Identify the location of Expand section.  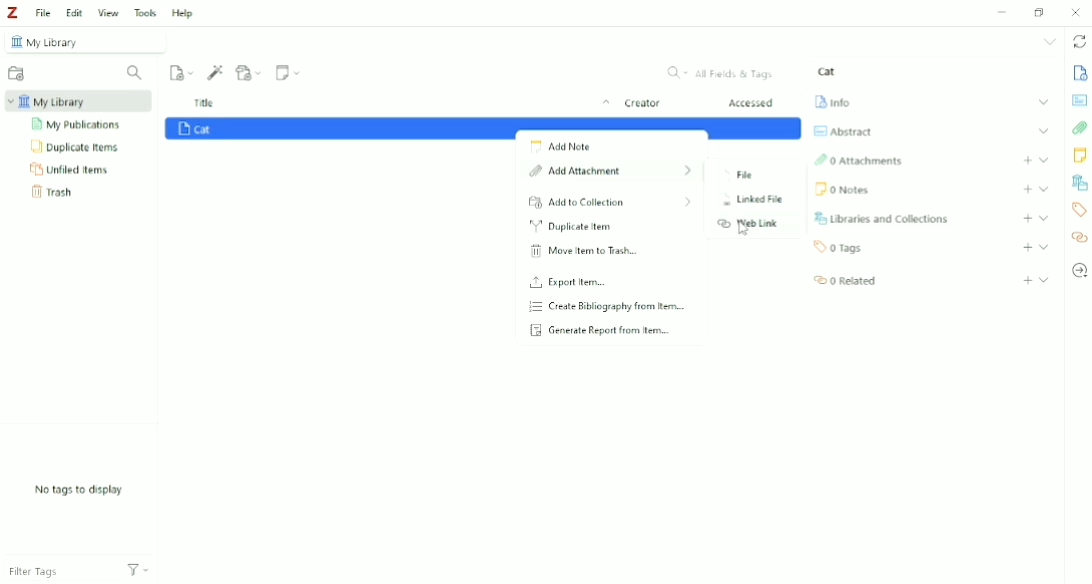
(1044, 159).